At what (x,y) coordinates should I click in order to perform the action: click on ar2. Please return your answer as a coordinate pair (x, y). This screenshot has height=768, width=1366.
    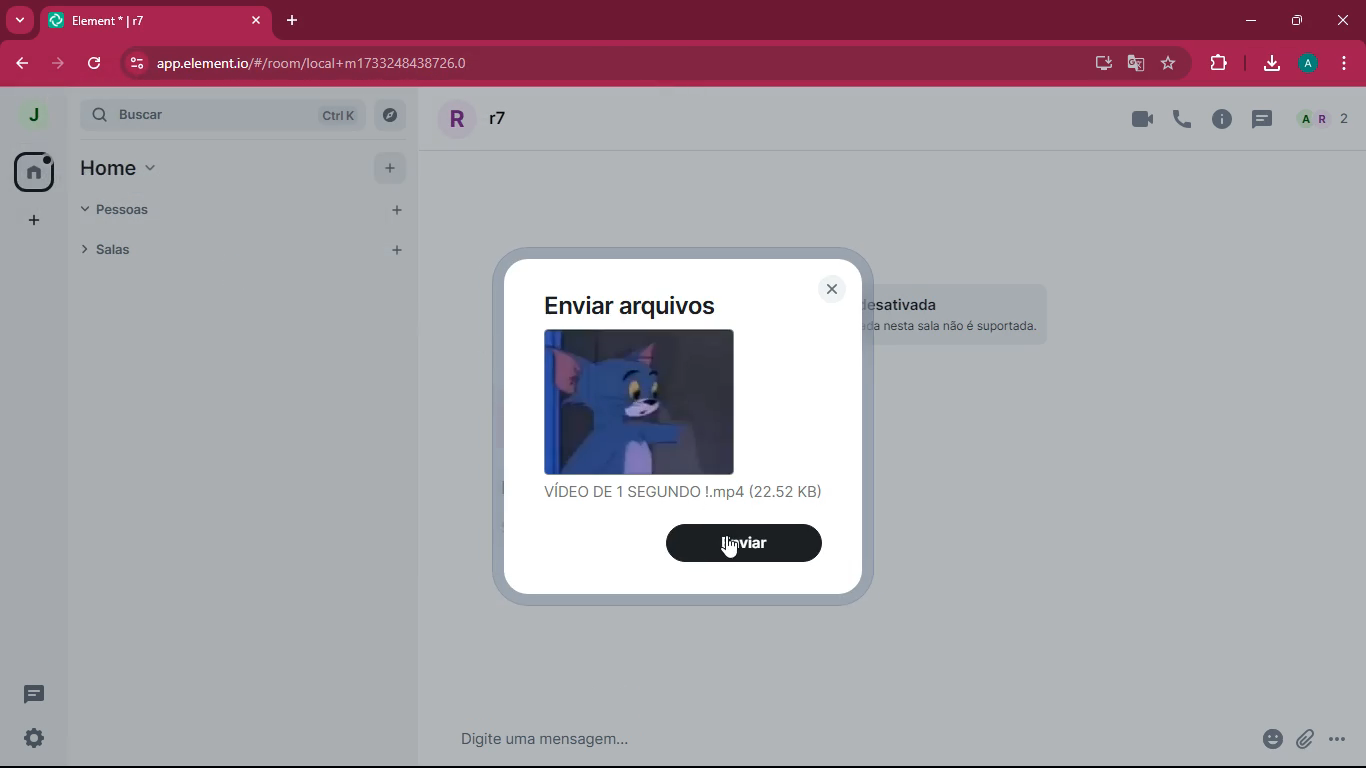
    Looking at the image, I should click on (1322, 120).